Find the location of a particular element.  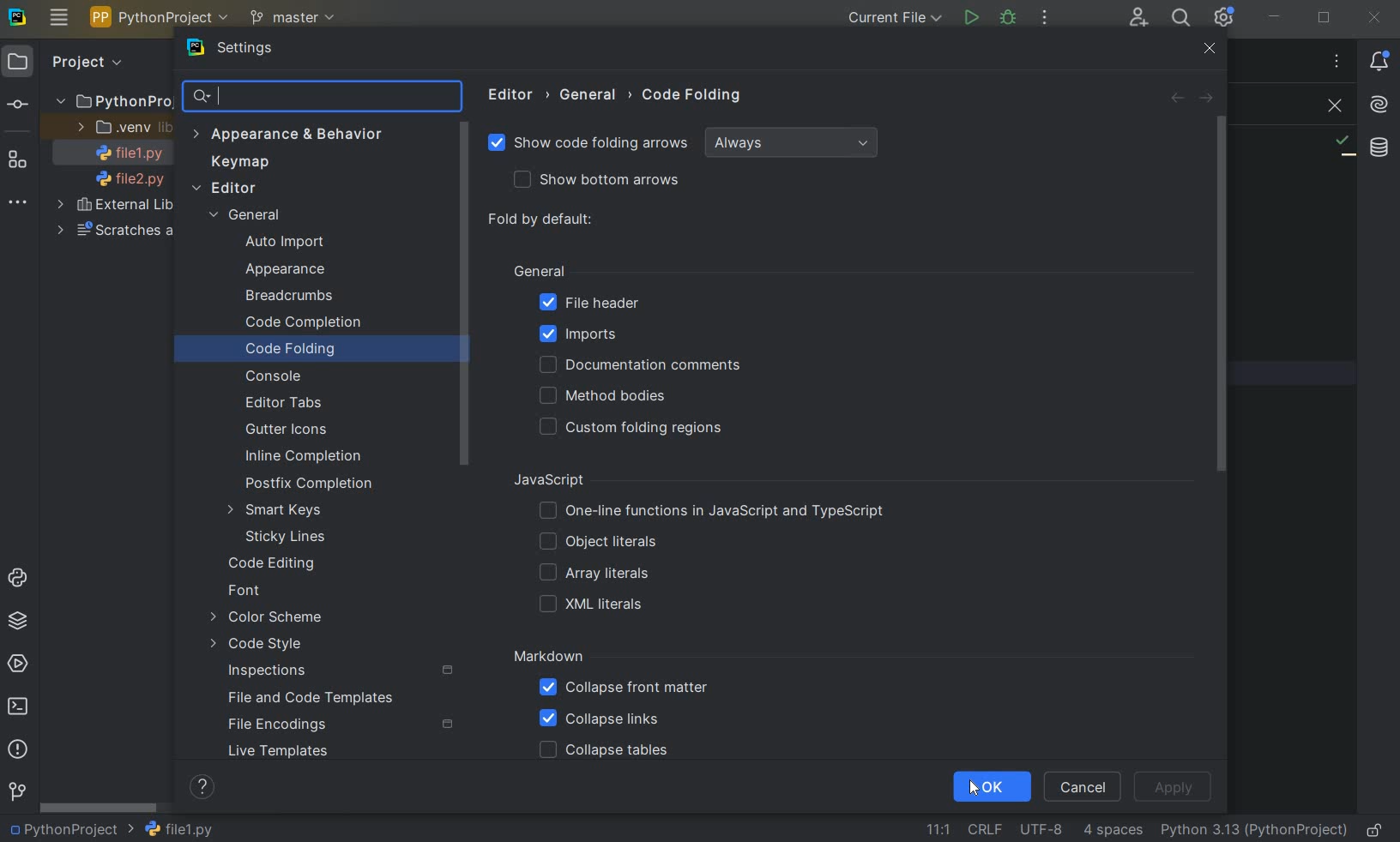

SYSTEM LOGO is located at coordinates (19, 18).